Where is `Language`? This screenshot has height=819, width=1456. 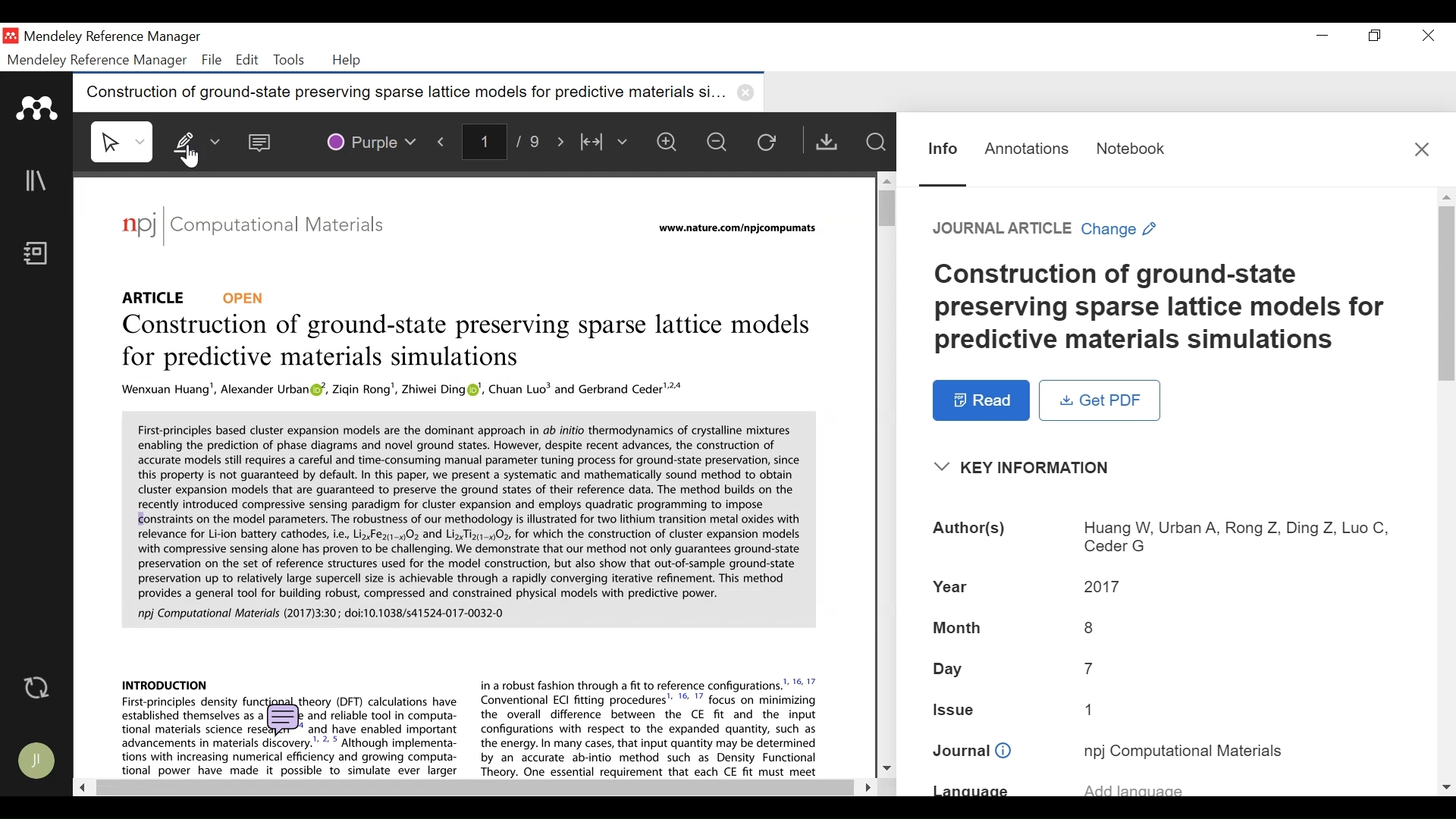
Language is located at coordinates (1134, 786).